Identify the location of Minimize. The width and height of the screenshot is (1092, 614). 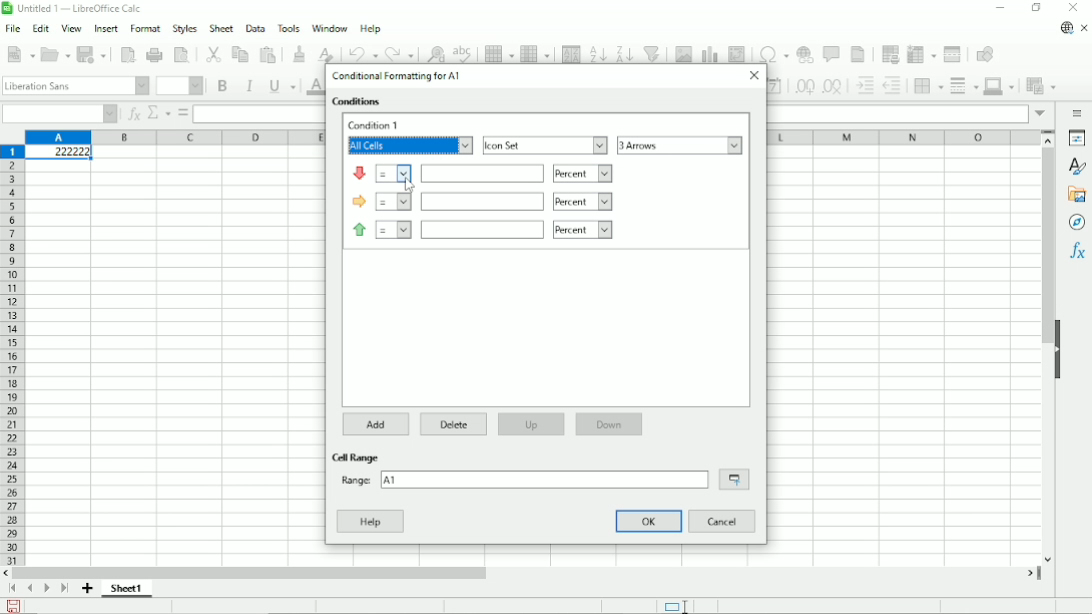
(1000, 10).